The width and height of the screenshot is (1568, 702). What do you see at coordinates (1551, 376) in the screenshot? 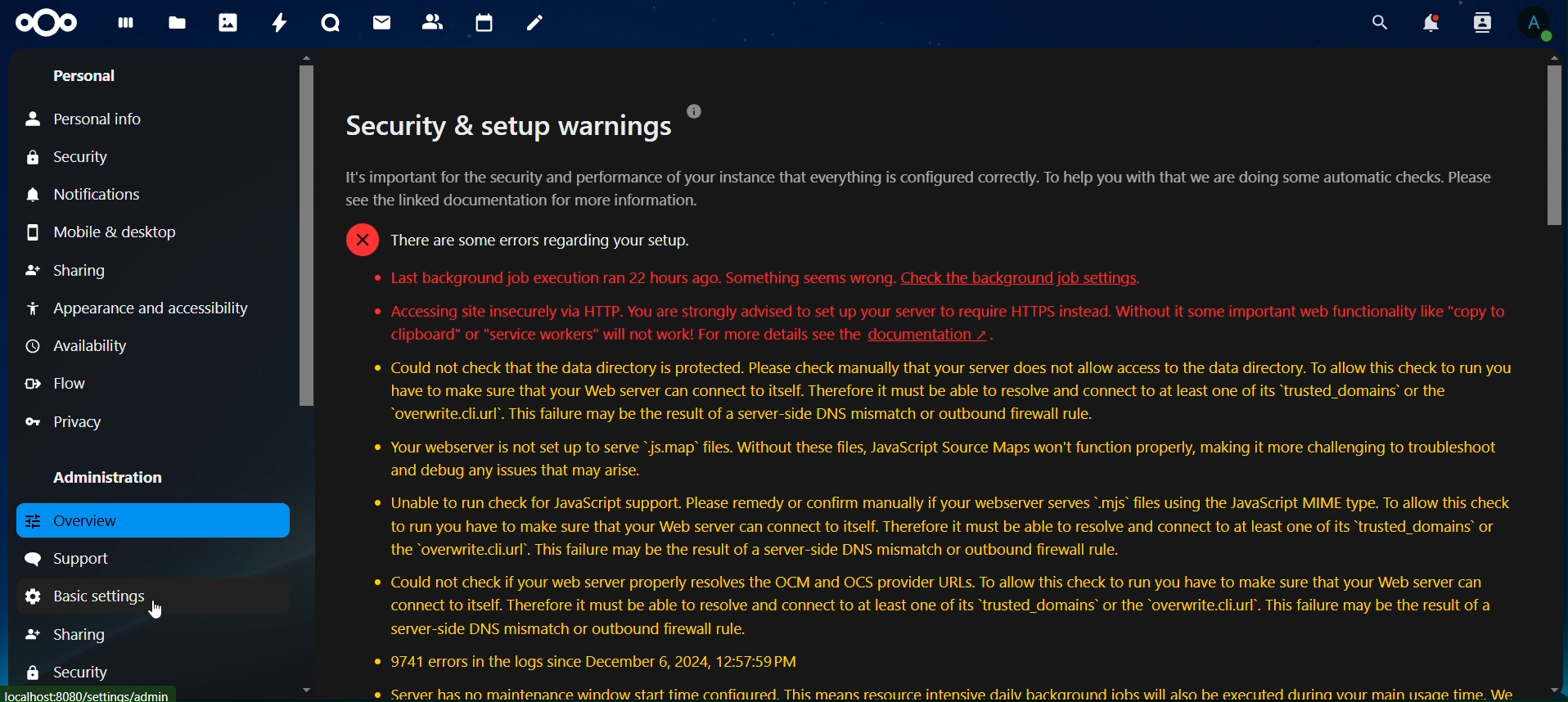
I see `Scrollbar` at bounding box center [1551, 376].